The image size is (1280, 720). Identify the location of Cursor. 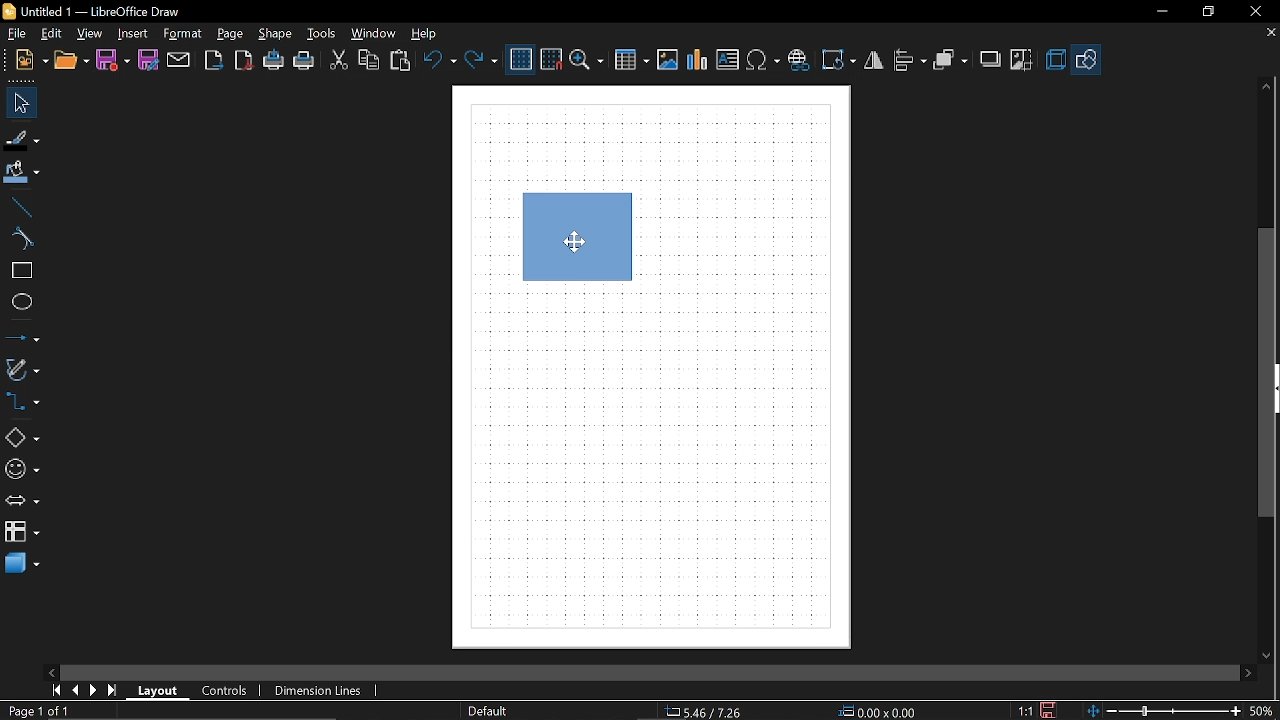
(577, 241).